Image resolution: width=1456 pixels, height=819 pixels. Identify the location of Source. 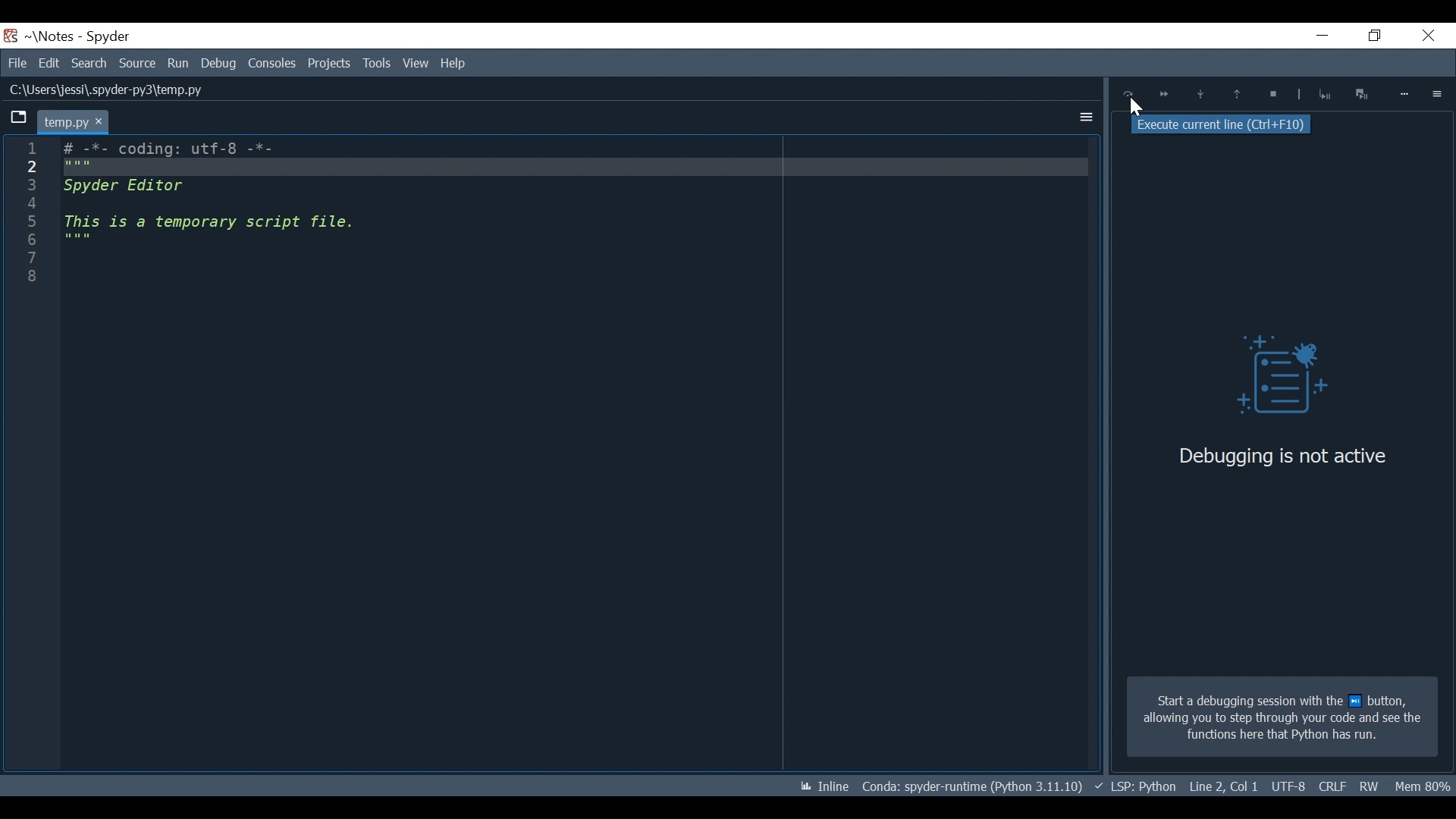
(138, 64).